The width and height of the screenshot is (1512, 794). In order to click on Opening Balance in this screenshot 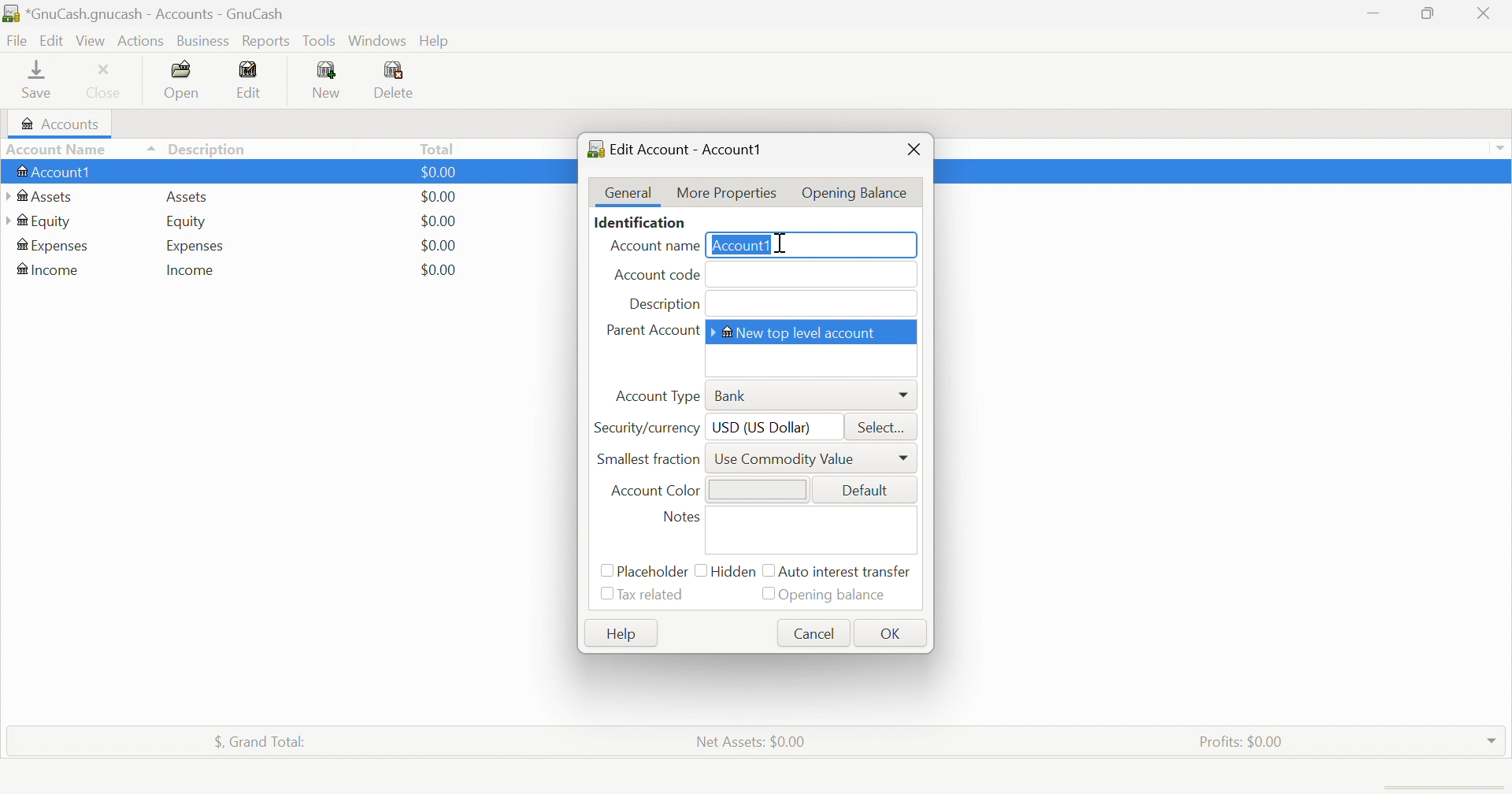, I will do `click(854, 191)`.